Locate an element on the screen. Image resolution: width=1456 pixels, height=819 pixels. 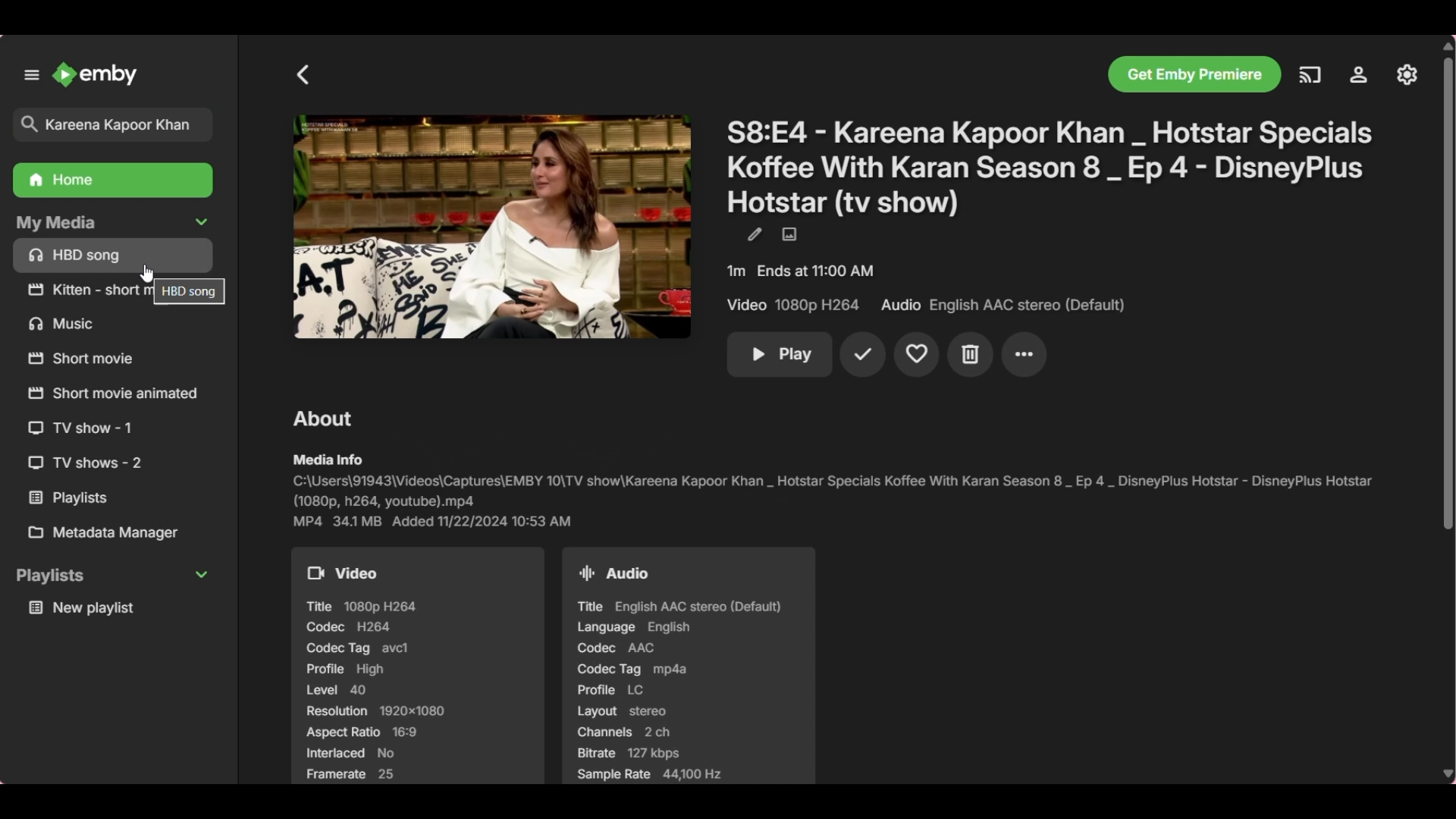
Edit images is located at coordinates (789, 234).